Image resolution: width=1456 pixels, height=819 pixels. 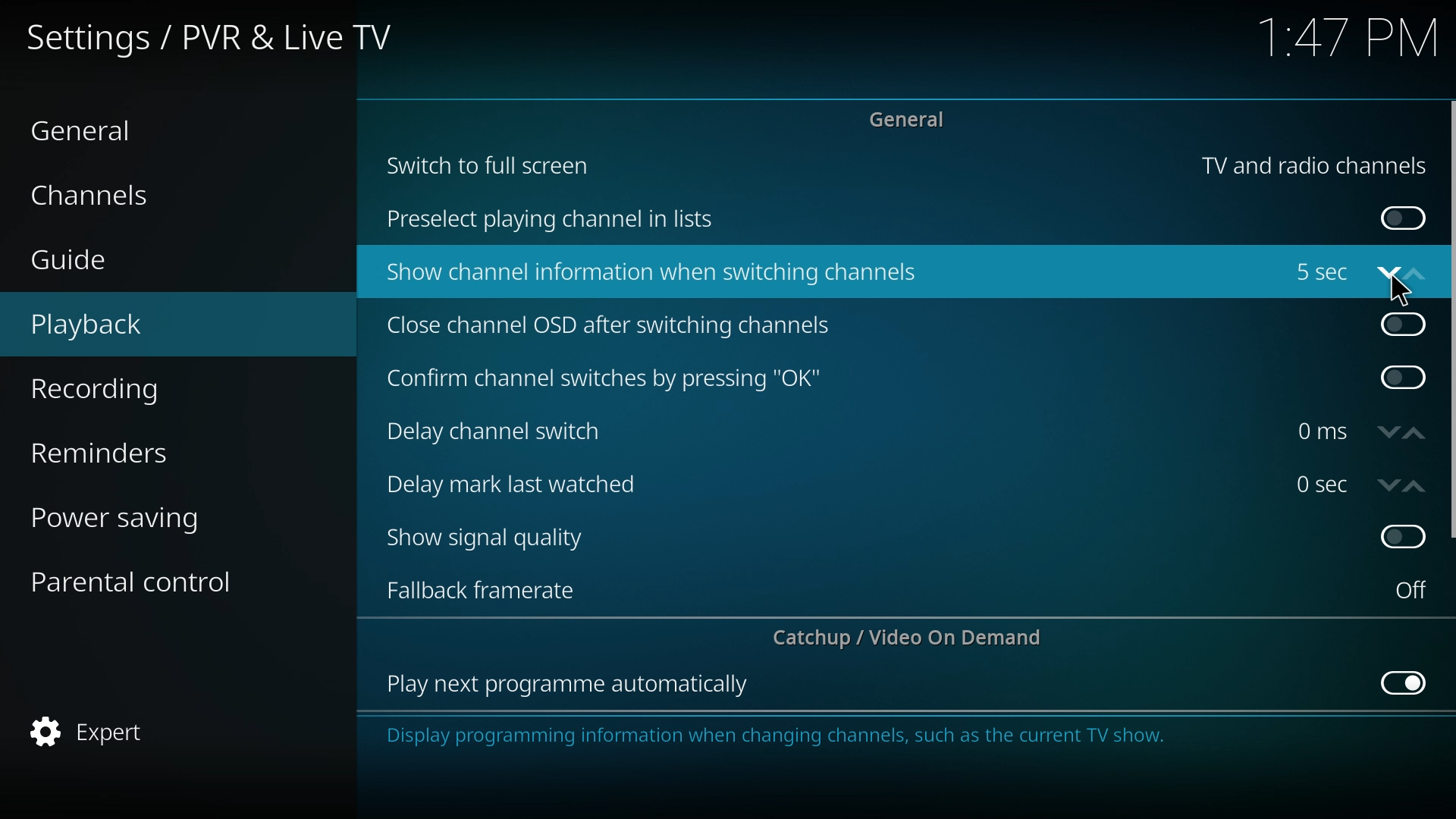 What do you see at coordinates (490, 164) in the screenshot?
I see `switch to full screen` at bounding box center [490, 164].